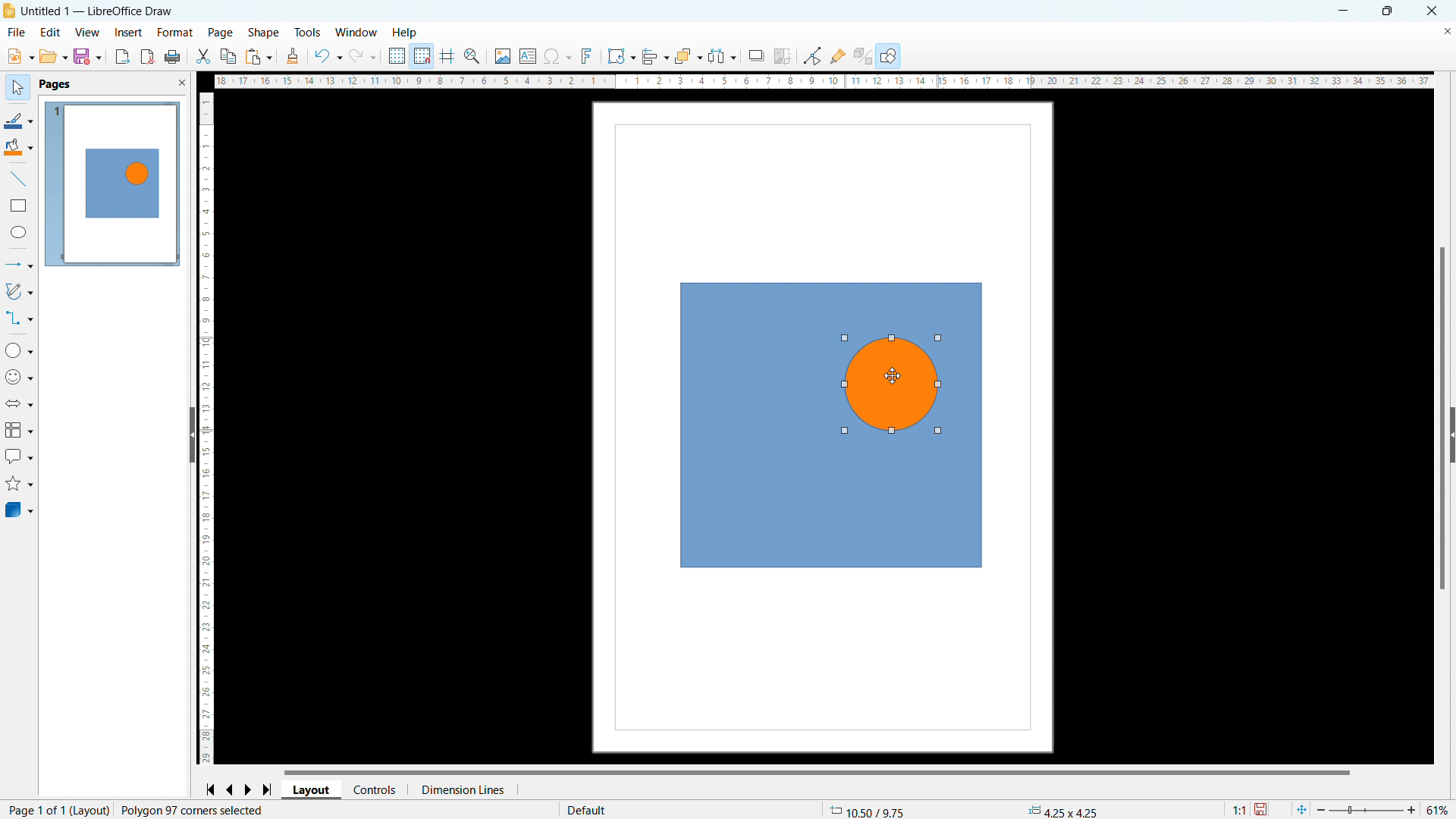 The width and height of the screenshot is (1456, 819). I want to click on close pane, so click(182, 82).